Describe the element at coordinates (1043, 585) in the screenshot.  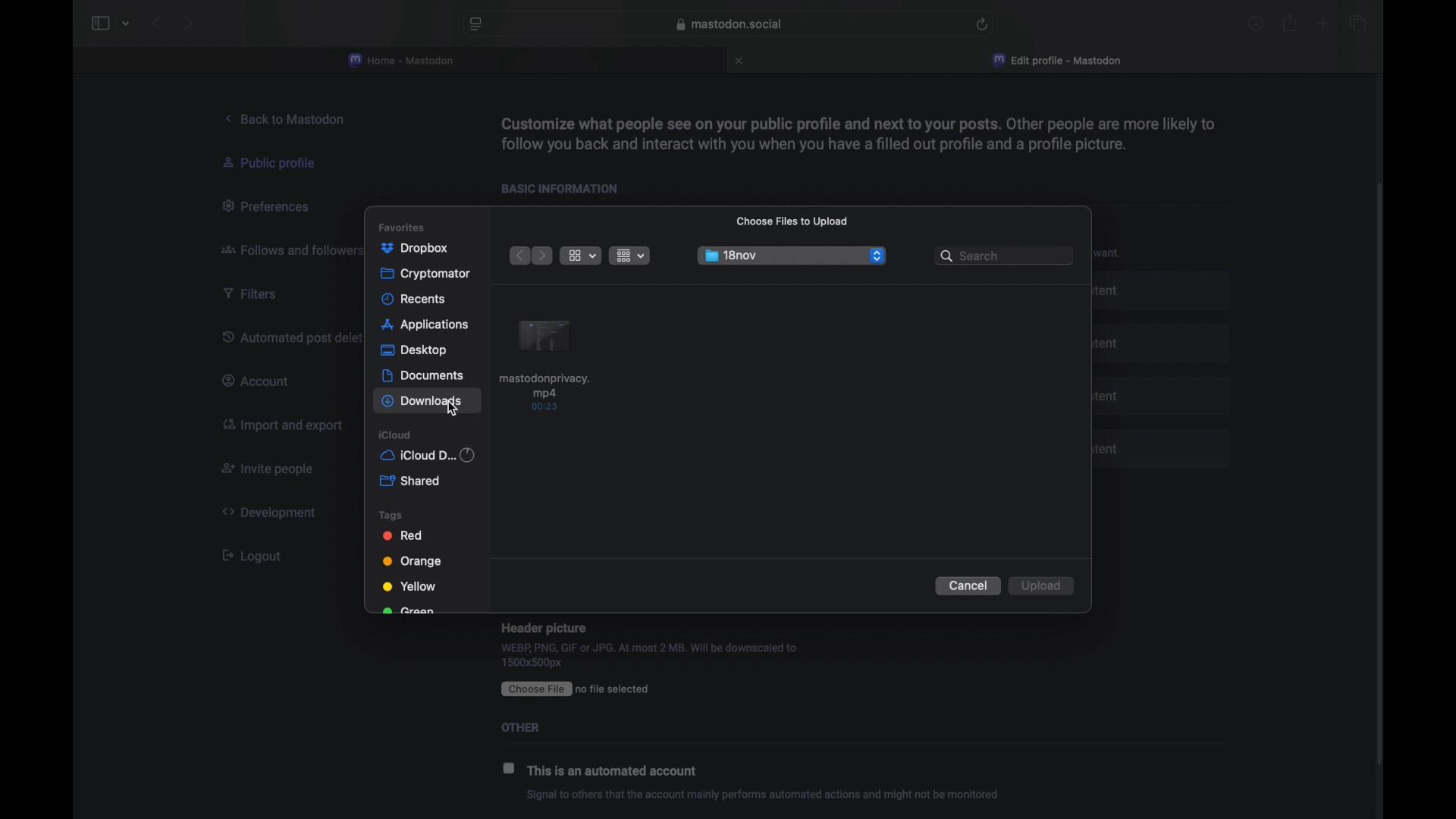
I see `upload` at that location.